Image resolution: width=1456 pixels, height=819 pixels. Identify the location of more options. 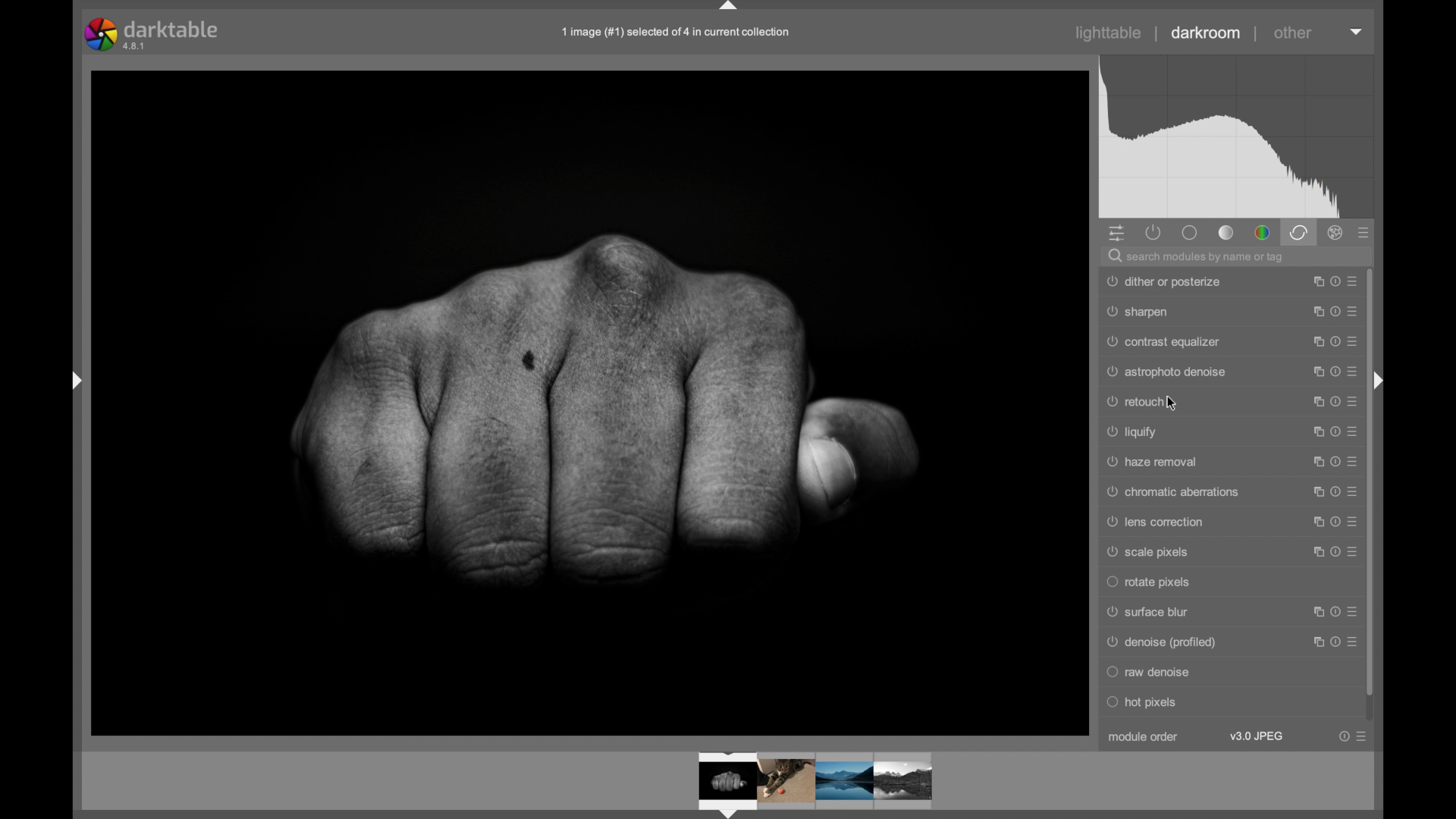
(1351, 463).